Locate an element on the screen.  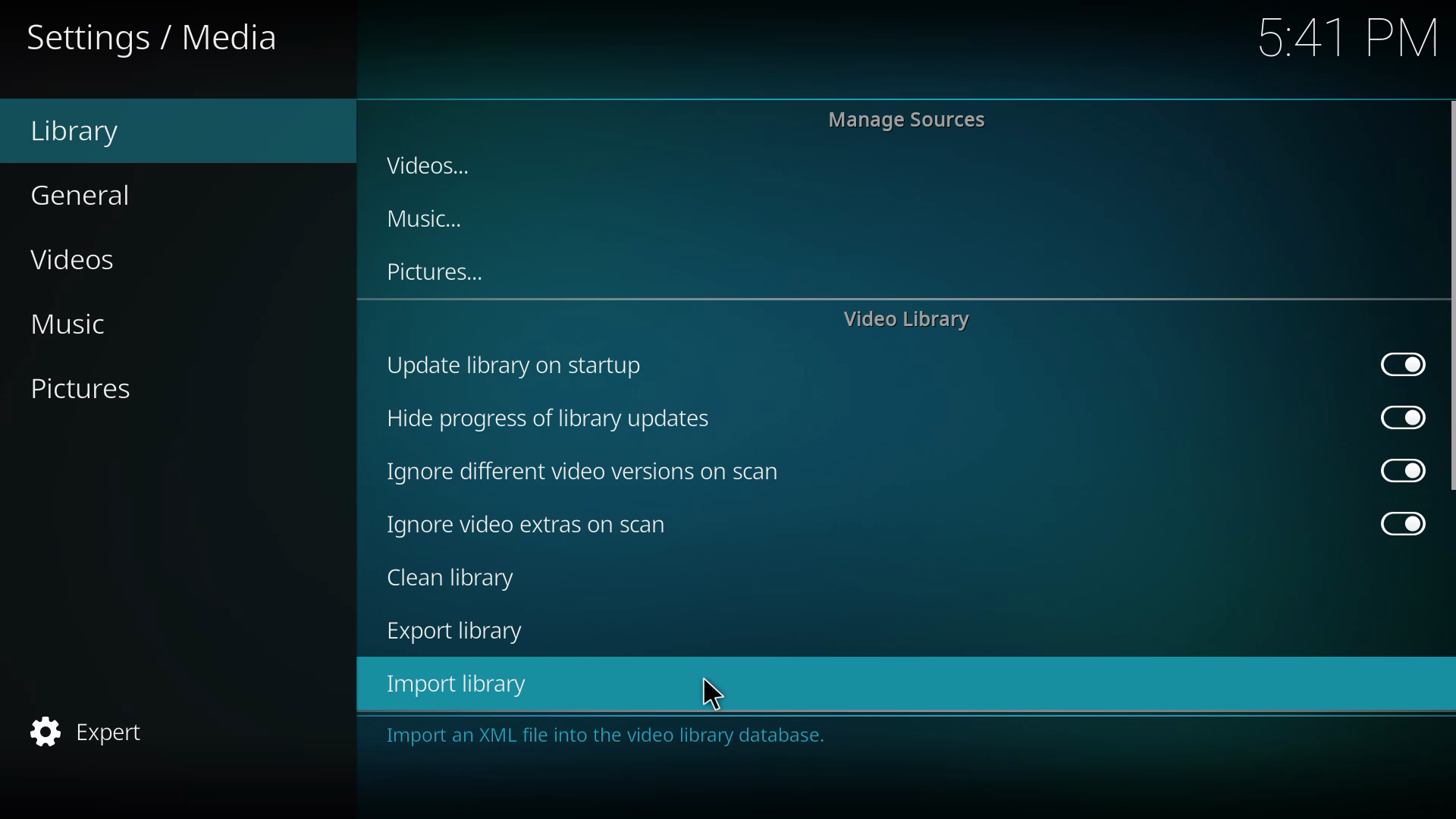
ignore different video versions on scan is located at coordinates (900, 471).